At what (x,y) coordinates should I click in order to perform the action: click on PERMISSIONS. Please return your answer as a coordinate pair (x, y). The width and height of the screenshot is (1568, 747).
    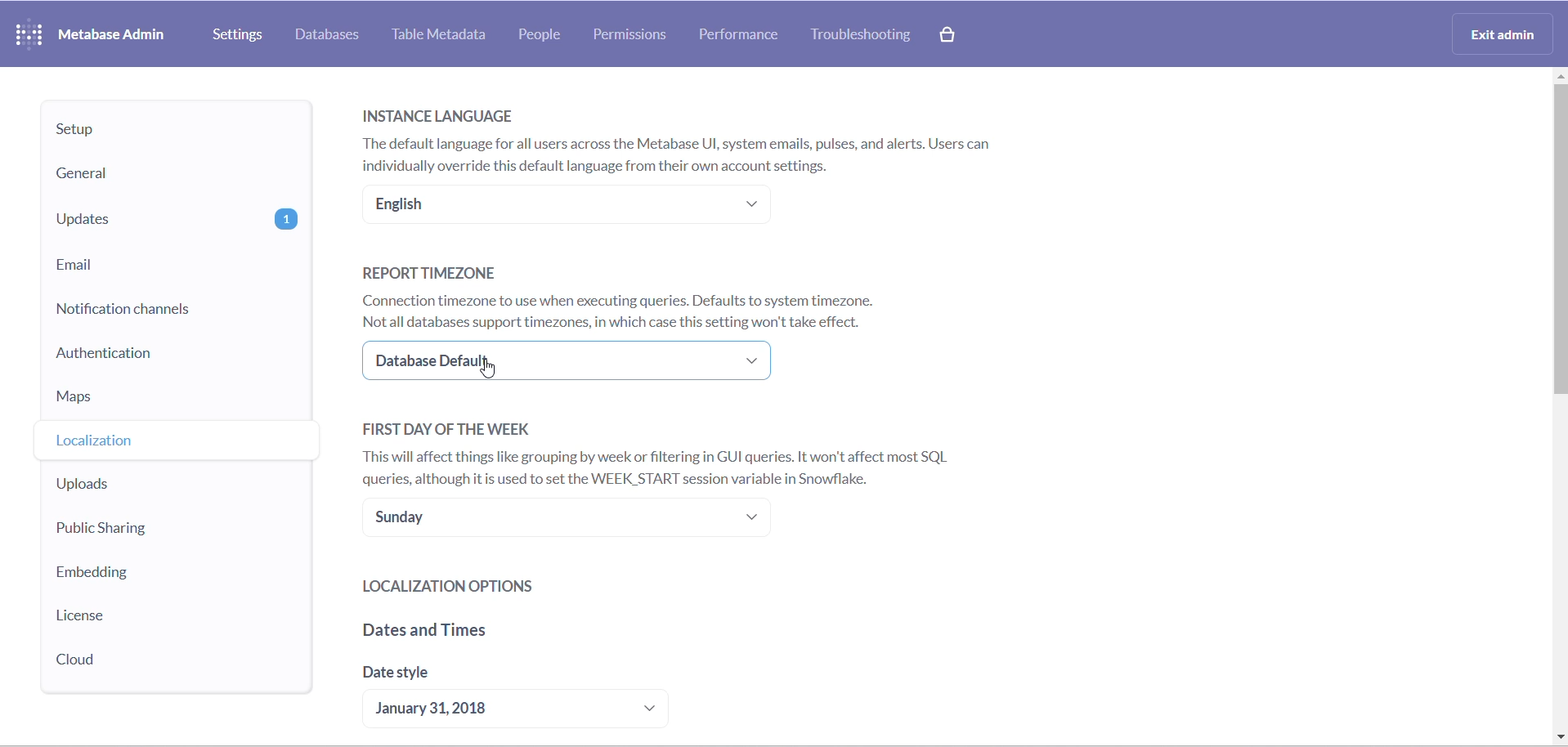
    Looking at the image, I should click on (635, 36).